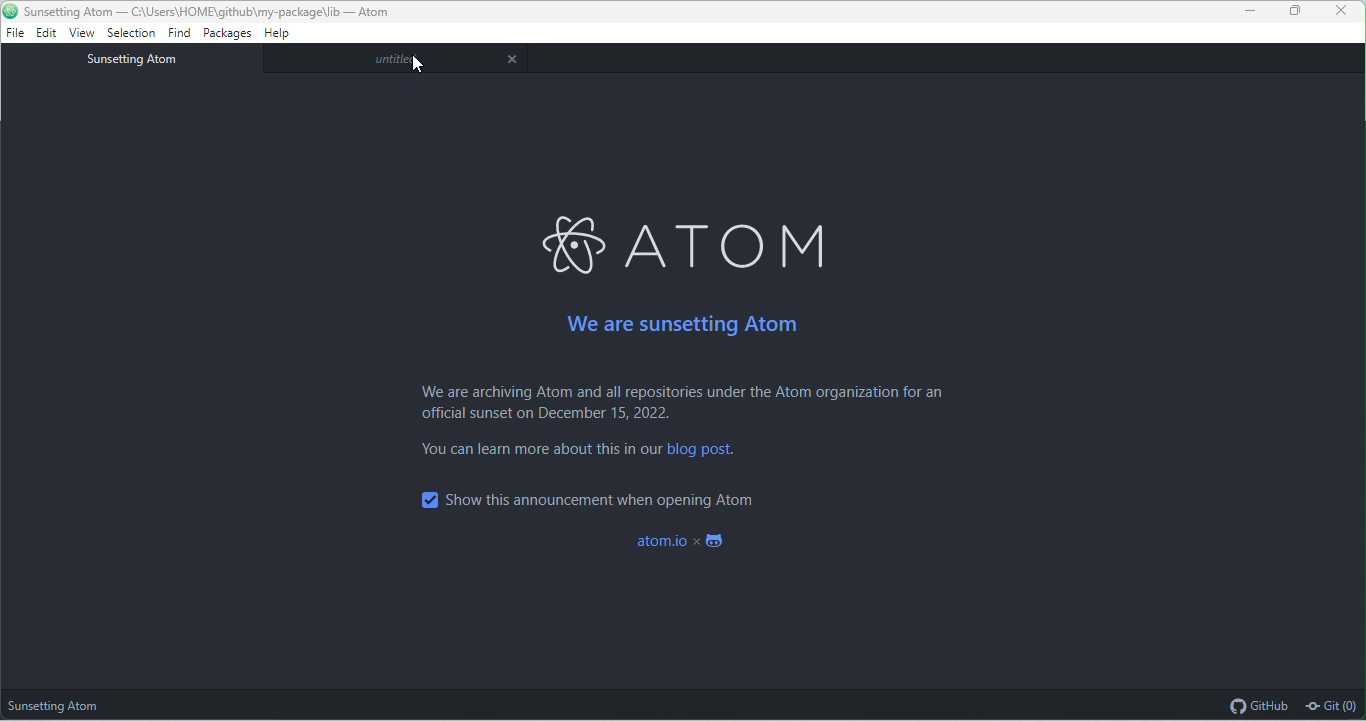 The image size is (1366, 722). I want to click on view, so click(85, 33).